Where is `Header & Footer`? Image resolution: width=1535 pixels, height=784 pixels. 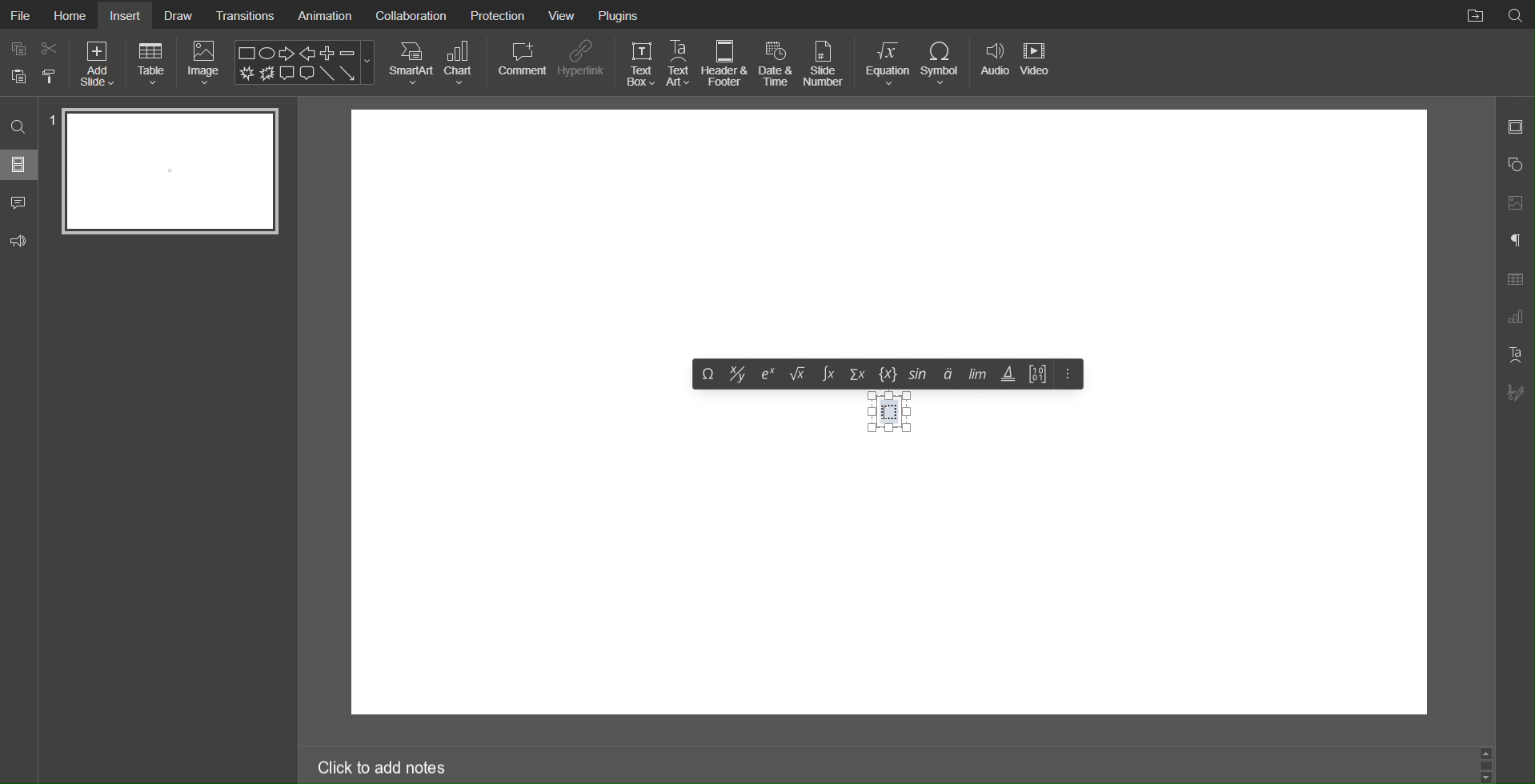
Header & Footer is located at coordinates (727, 63).